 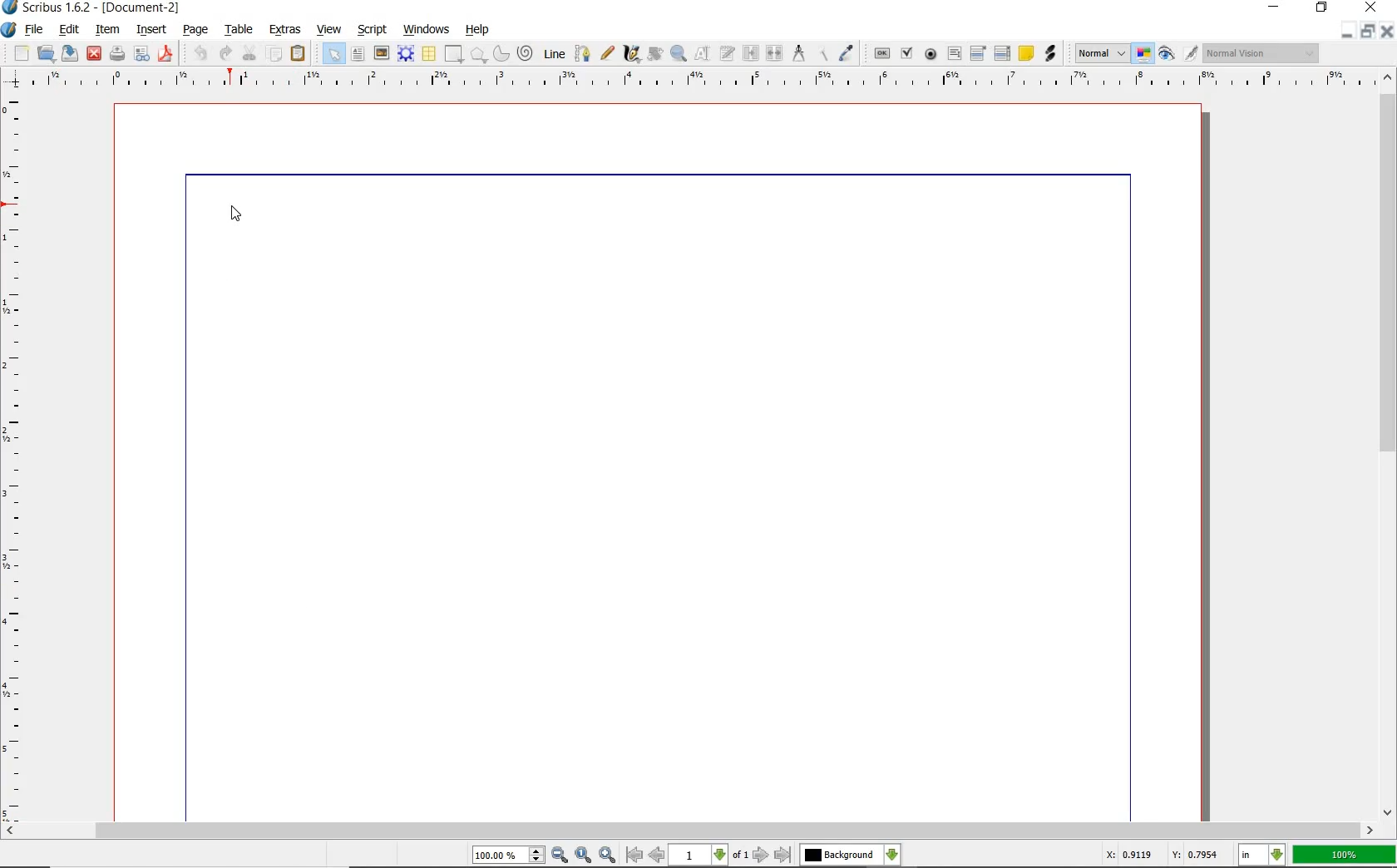 What do you see at coordinates (1370, 8) in the screenshot?
I see `close` at bounding box center [1370, 8].